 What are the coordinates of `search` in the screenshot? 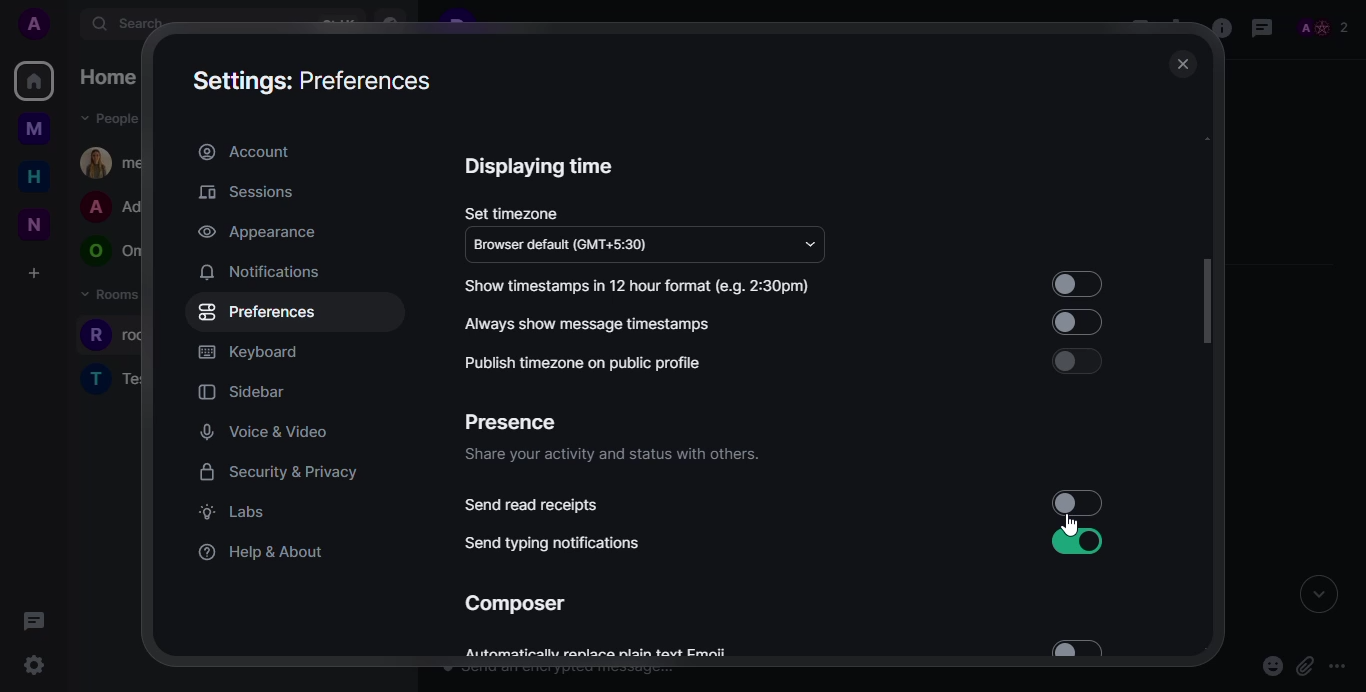 It's located at (136, 25).